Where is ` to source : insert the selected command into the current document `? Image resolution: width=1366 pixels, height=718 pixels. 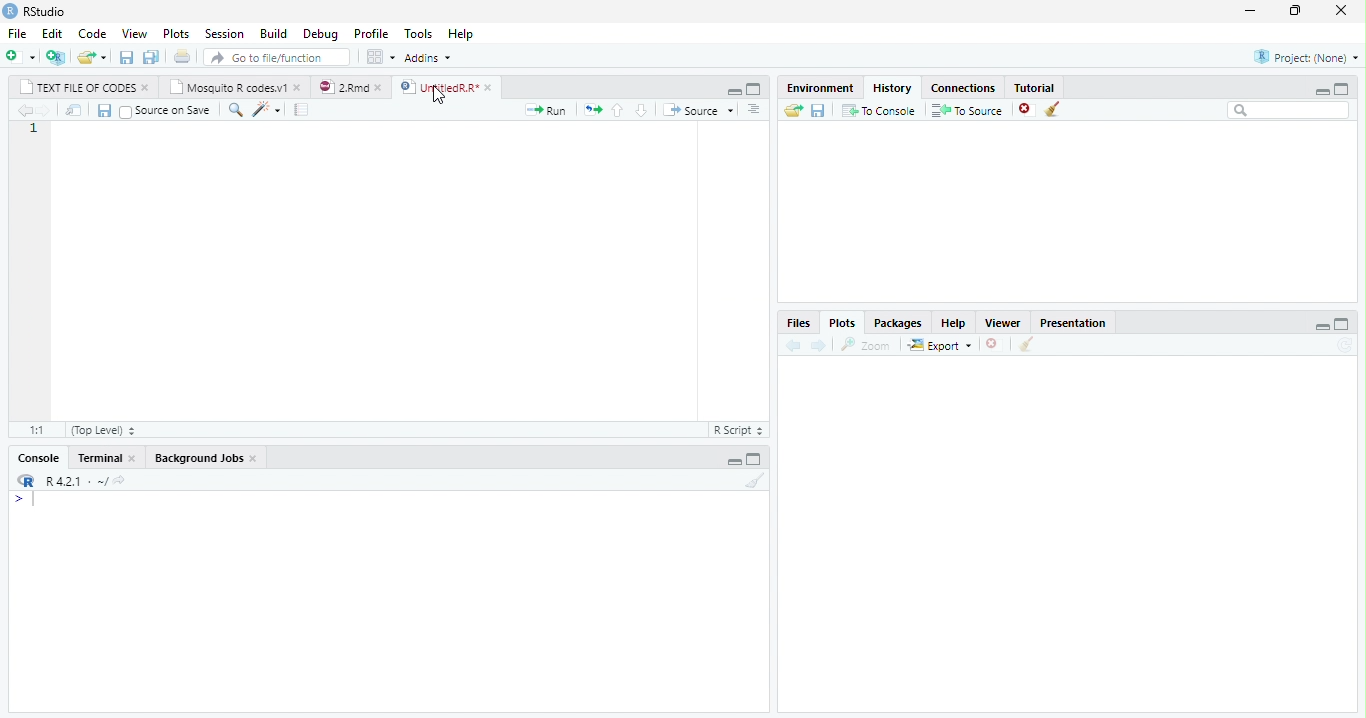
 to source : insert the selected command into the current document  is located at coordinates (964, 110).